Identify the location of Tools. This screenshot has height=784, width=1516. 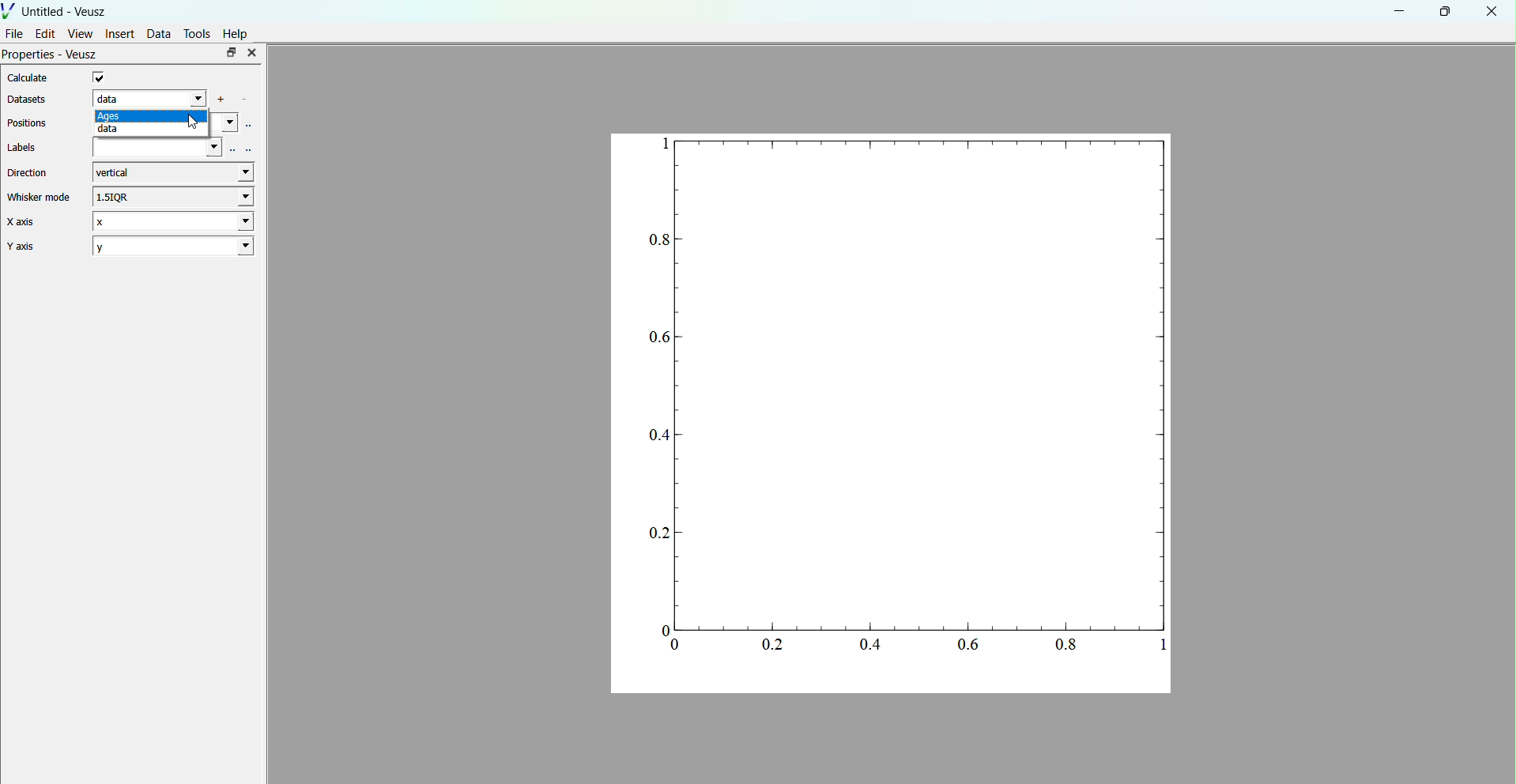
(198, 33).